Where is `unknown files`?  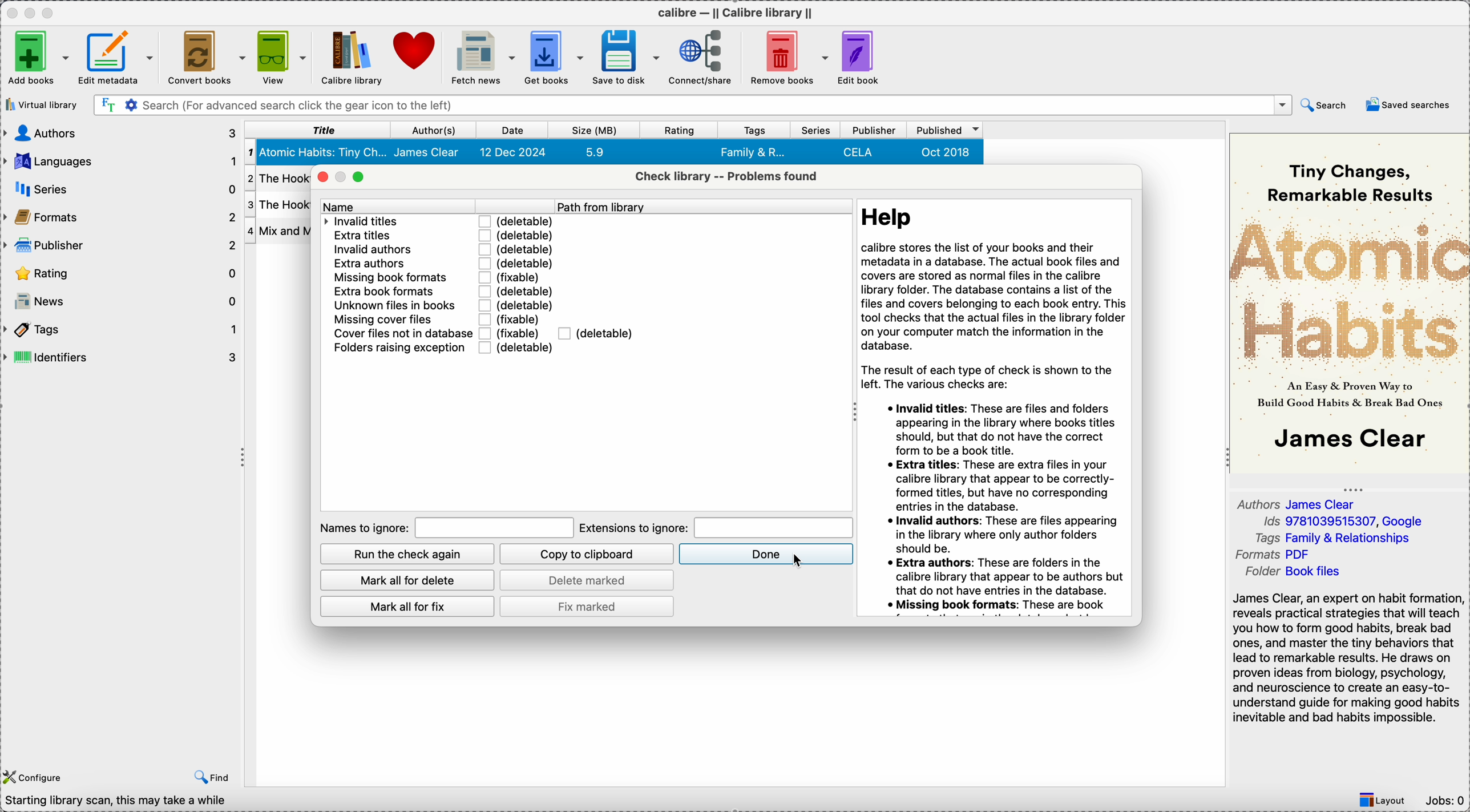
unknown files is located at coordinates (394, 306).